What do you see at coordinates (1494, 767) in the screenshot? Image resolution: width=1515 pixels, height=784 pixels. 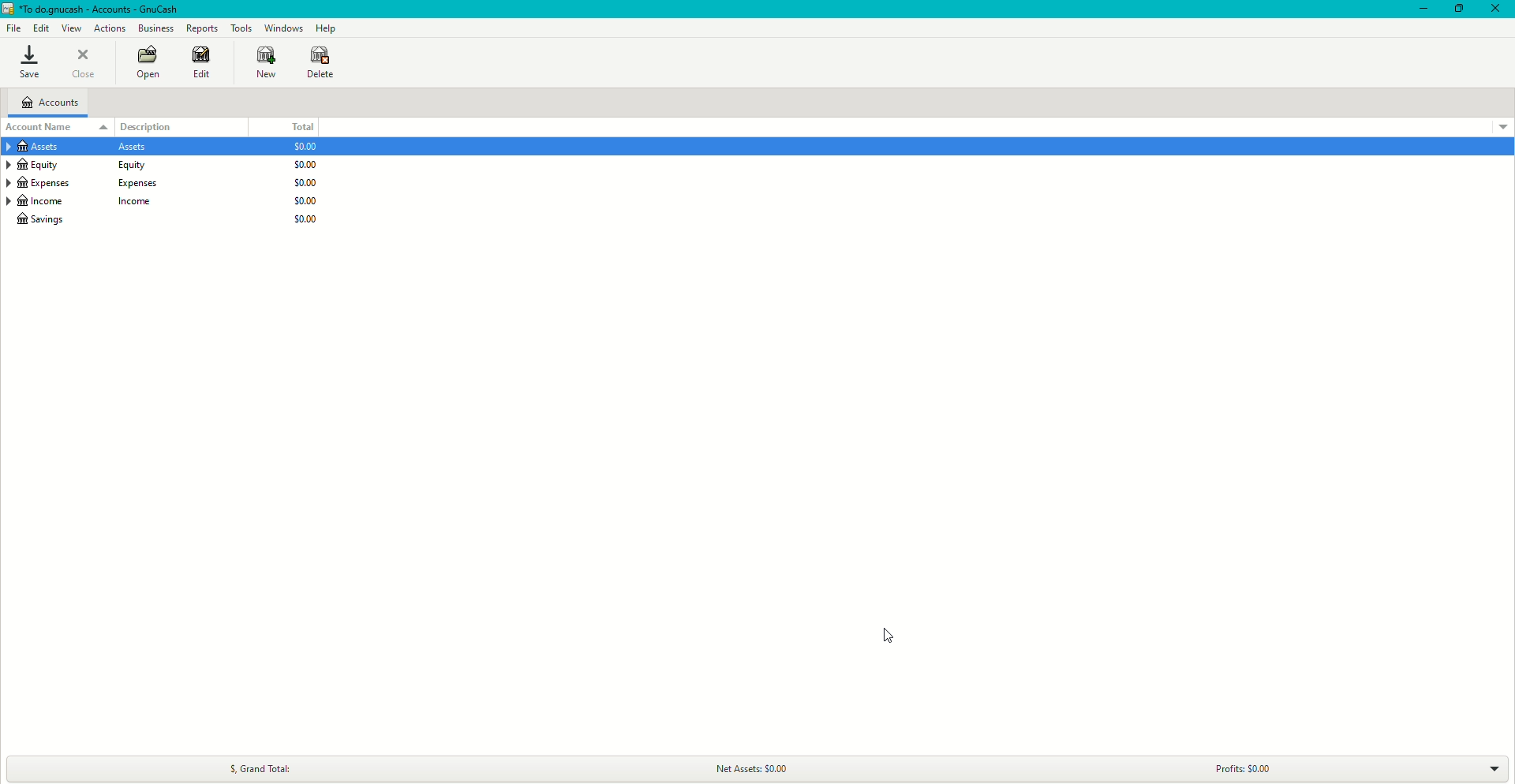 I see `Drop down` at bounding box center [1494, 767].